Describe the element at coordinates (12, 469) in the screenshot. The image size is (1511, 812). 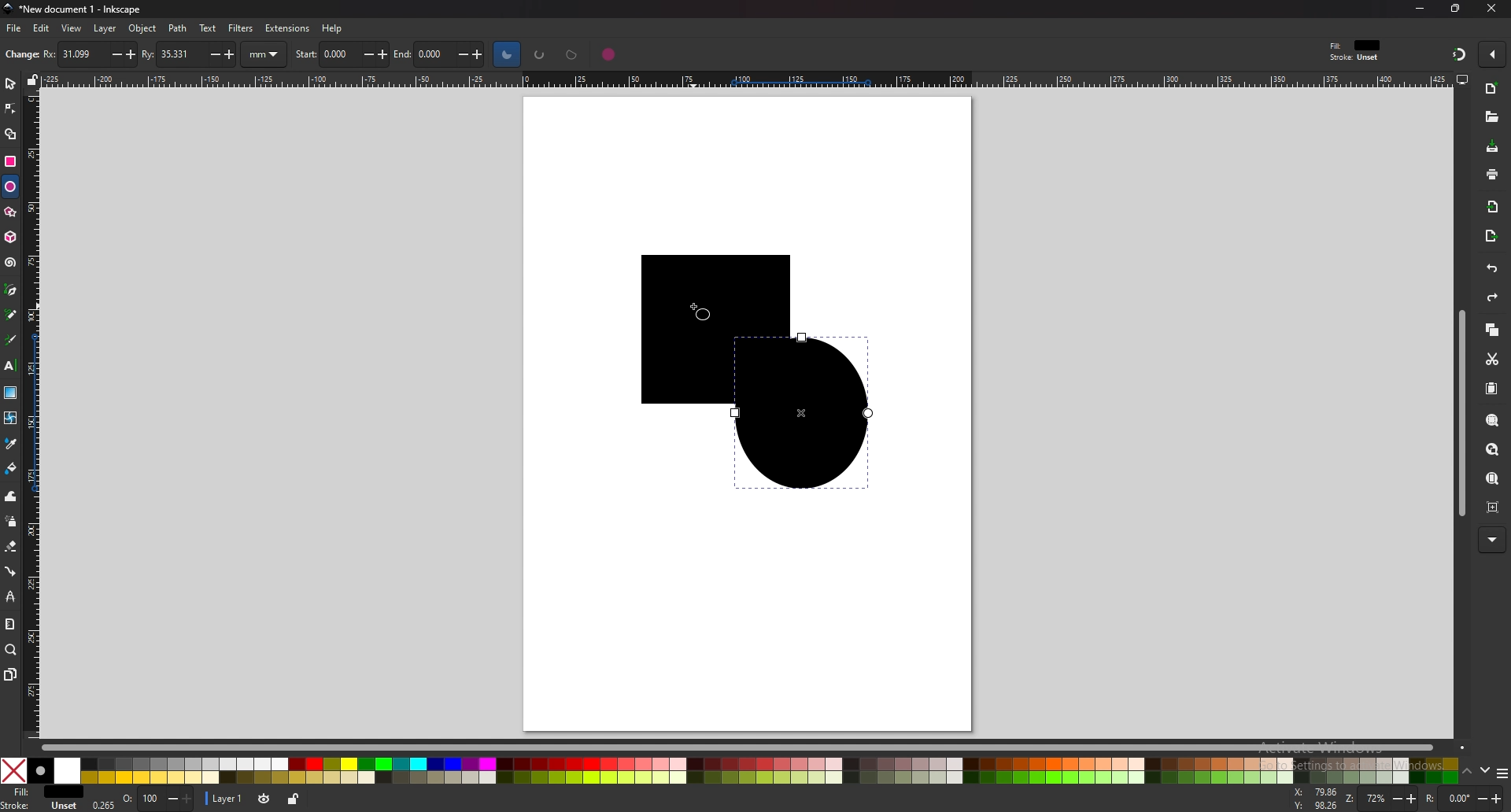
I see `paint bucket` at that location.